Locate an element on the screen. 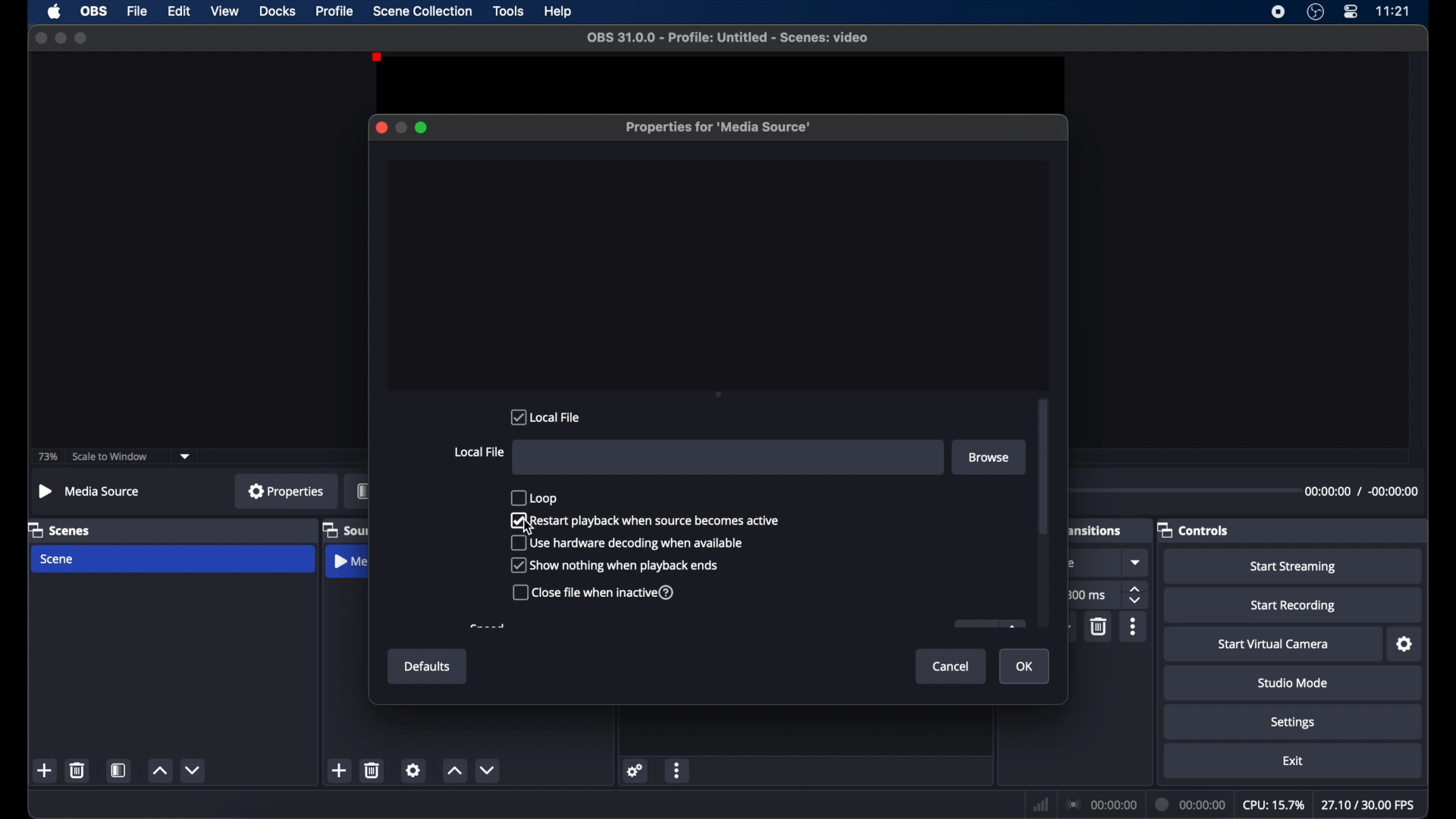 The width and height of the screenshot is (1456, 819). maximize is located at coordinates (422, 127).